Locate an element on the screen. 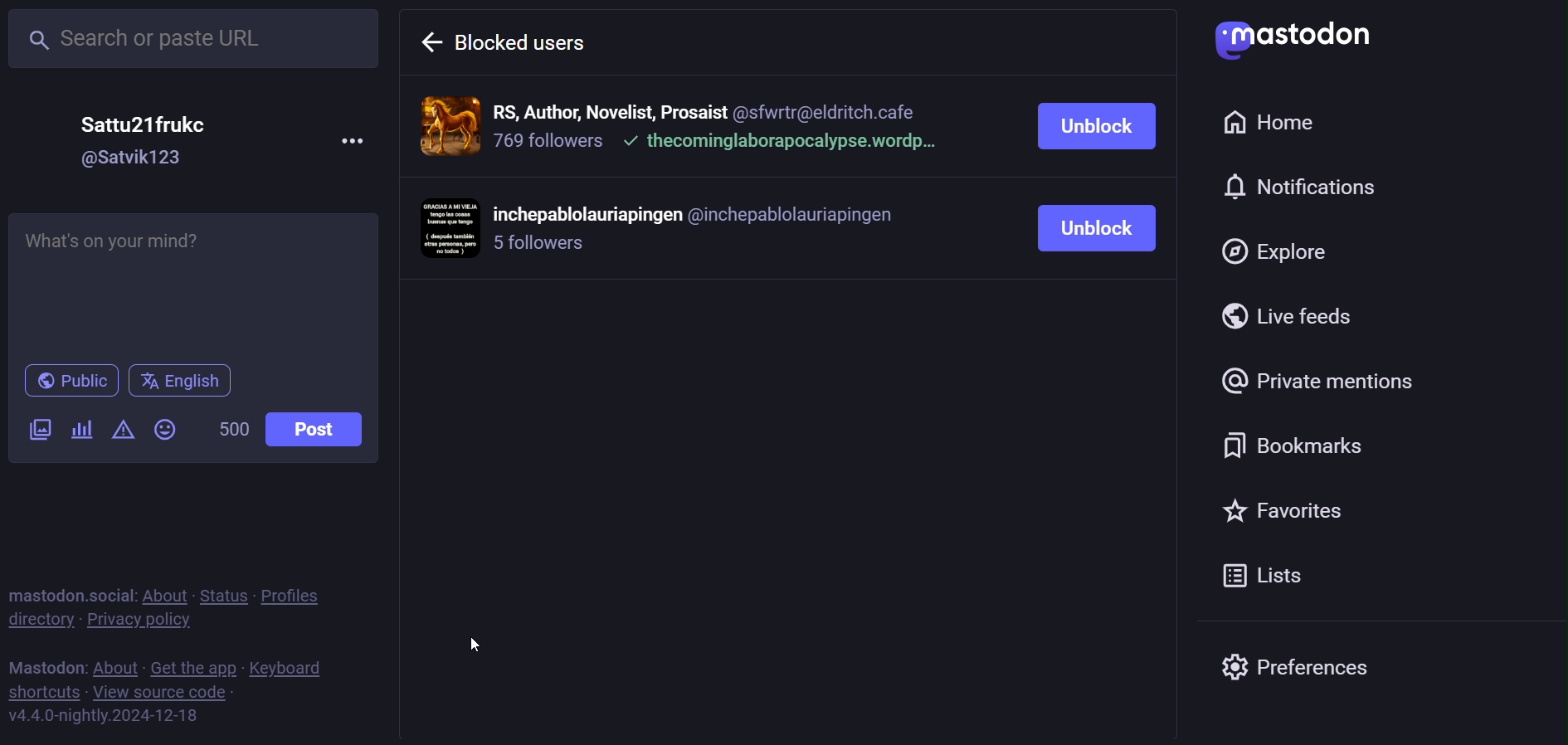 This screenshot has height=745, width=1568. bookmarks is located at coordinates (1320, 448).